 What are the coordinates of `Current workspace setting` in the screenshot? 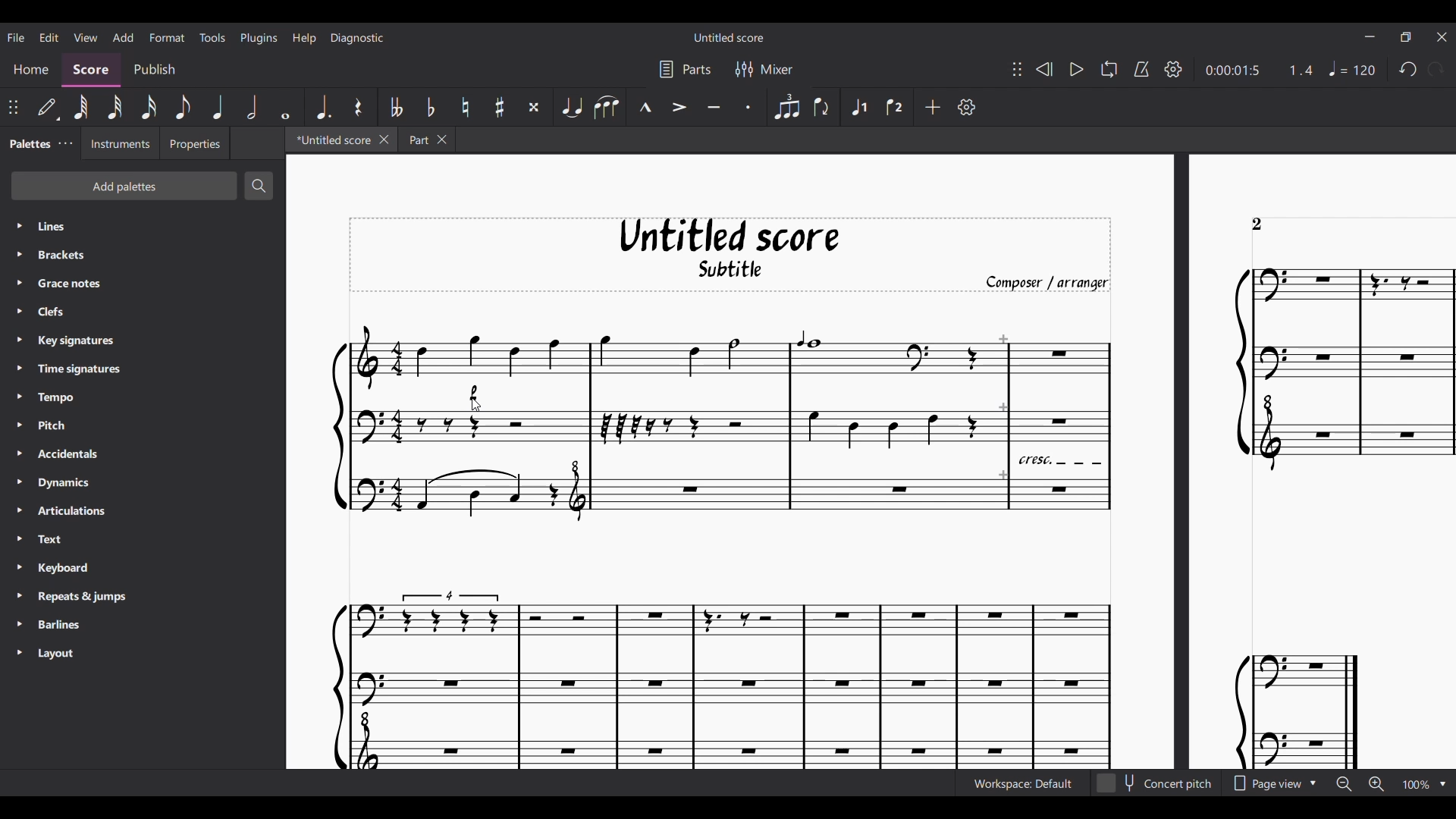 It's located at (1022, 783).